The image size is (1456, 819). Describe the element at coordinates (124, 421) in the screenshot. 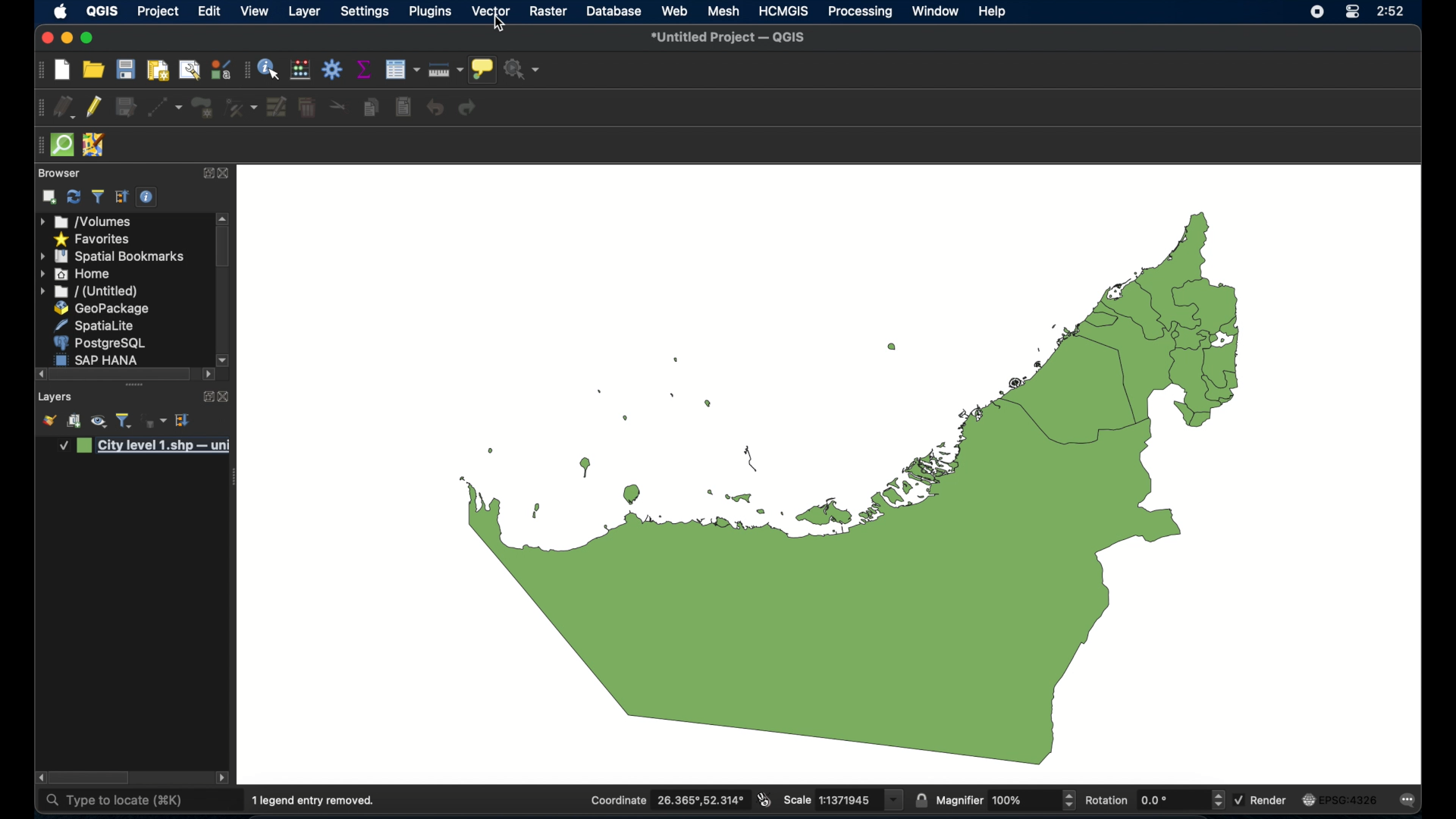

I see `filter legend` at that location.